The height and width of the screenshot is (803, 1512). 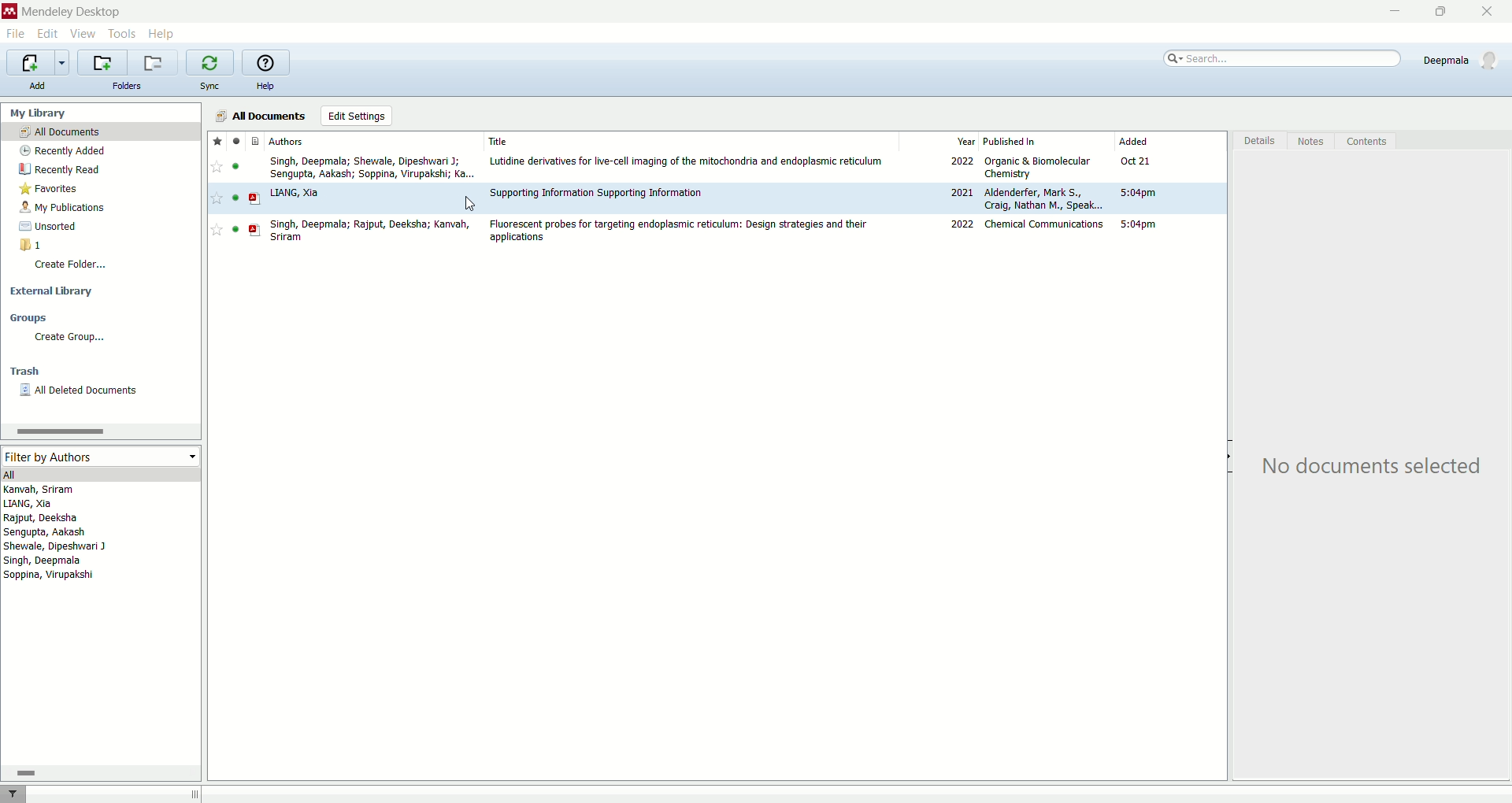 What do you see at coordinates (1284, 58) in the screenshot?
I see `search` at bounding box center [1284, 58].